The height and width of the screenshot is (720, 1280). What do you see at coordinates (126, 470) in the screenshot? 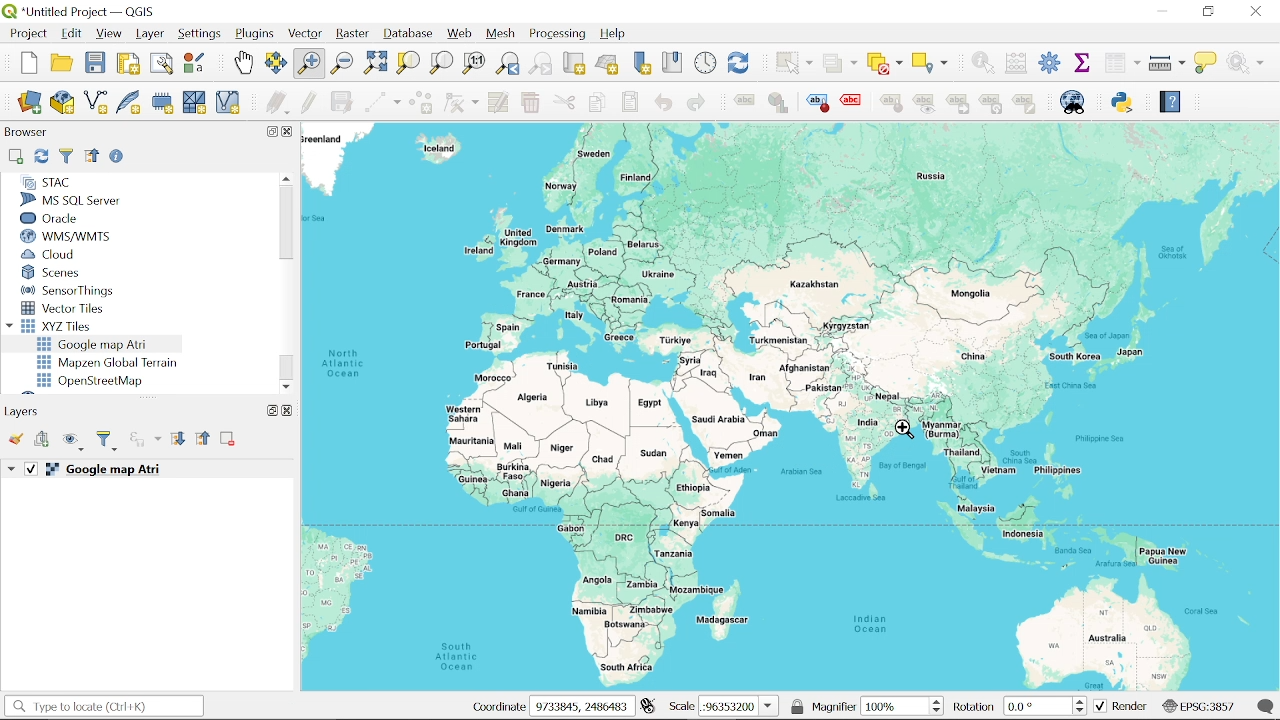
I see `Current layer` at bounding box center [126, 470].